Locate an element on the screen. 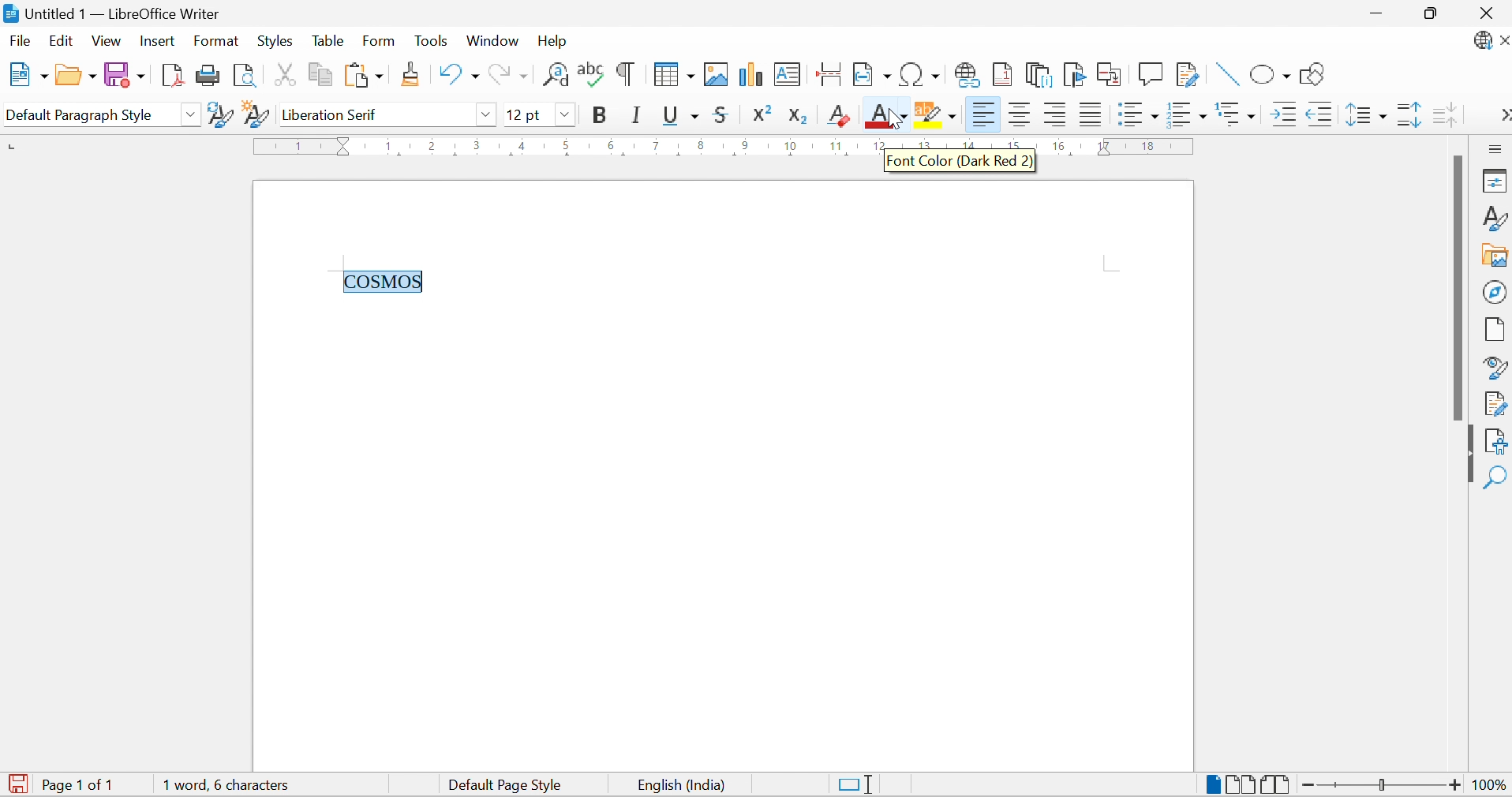 The width and height of the screenshot is (1512, 797). Insert Text Box is located at coordinates (788, 73).